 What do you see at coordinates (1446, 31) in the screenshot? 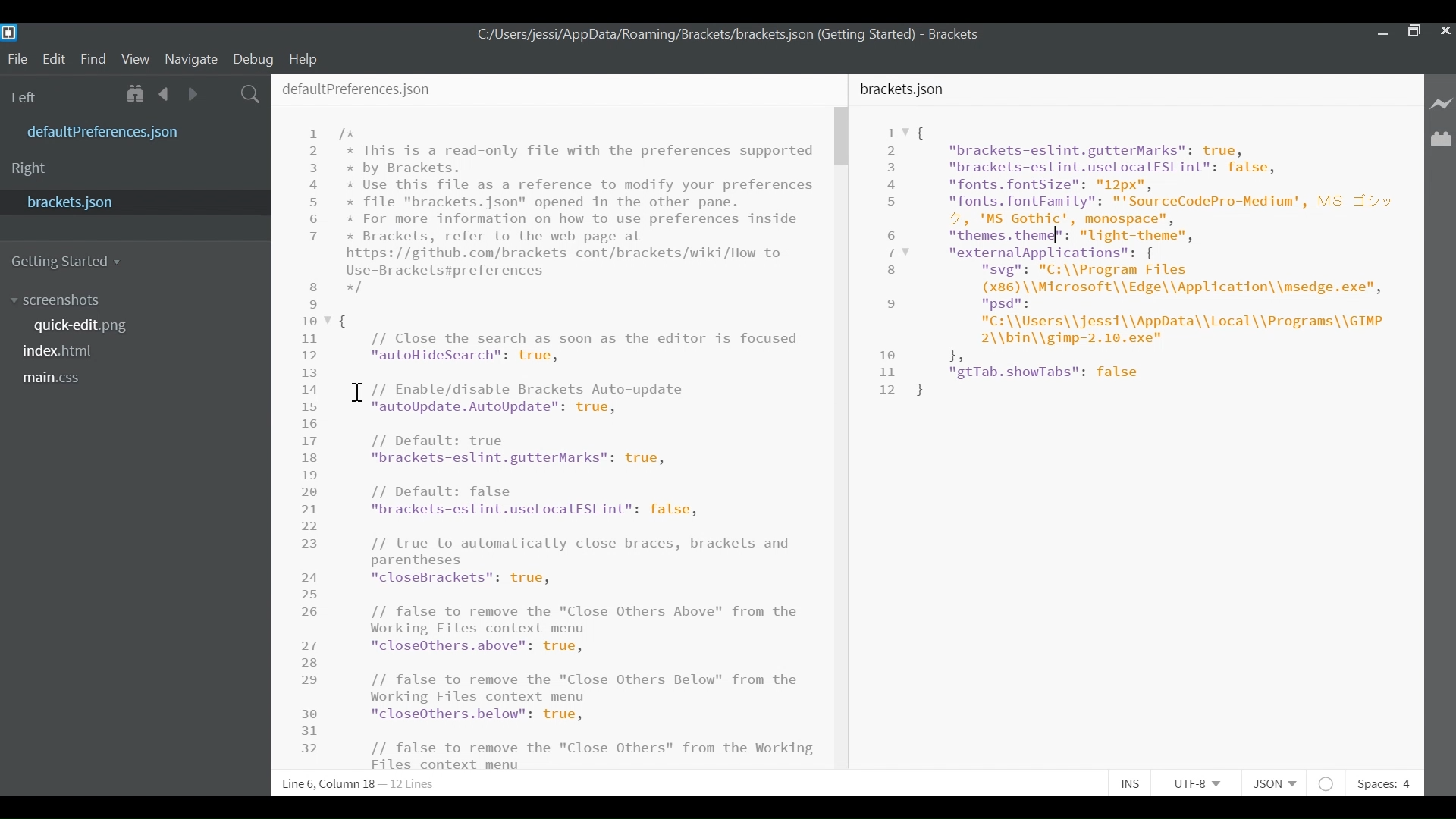
I see `Close` at bounding box center [1446, 31].